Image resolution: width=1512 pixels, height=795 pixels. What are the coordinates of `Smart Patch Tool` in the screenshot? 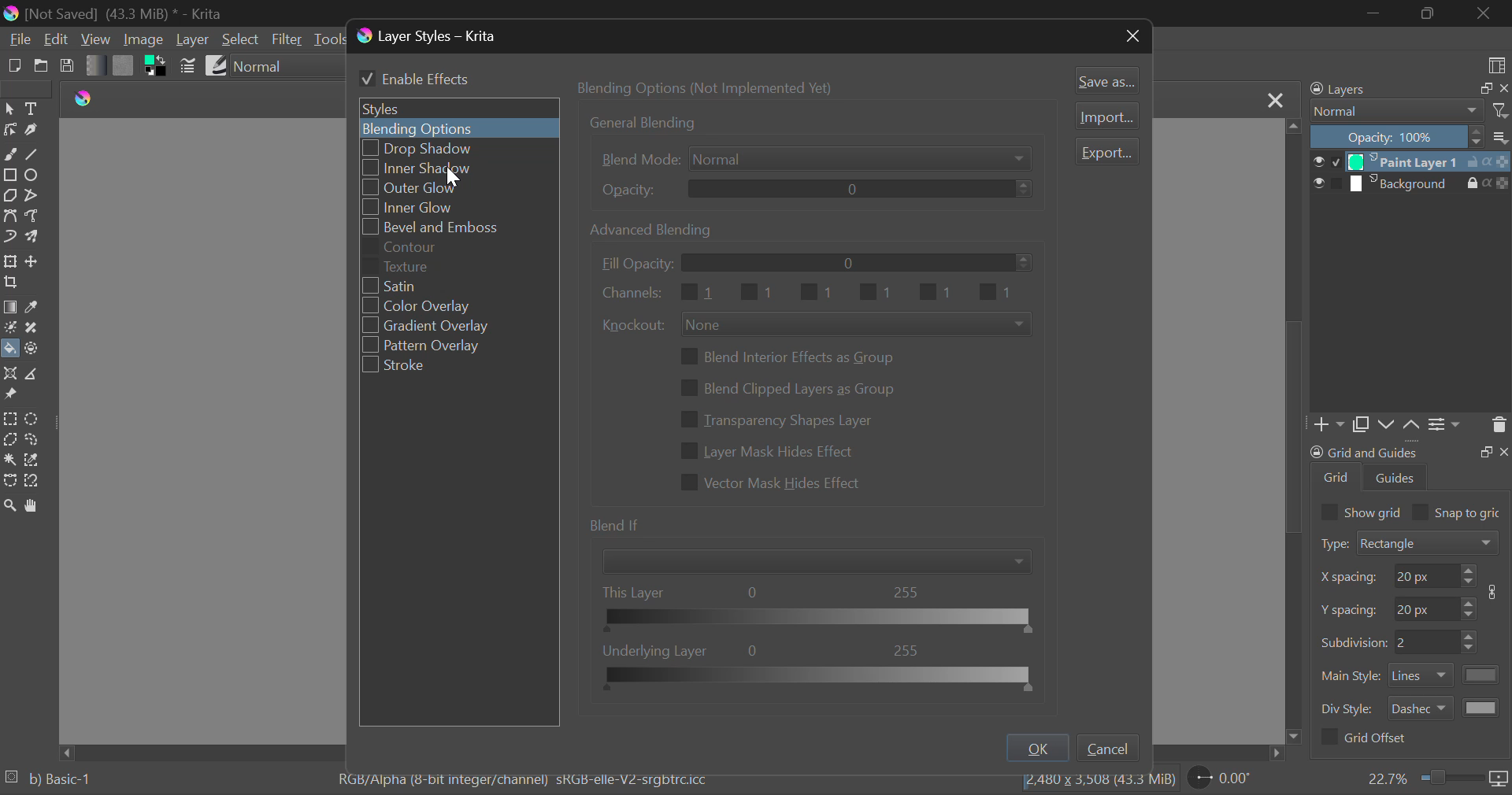 It's located at (32, 328).